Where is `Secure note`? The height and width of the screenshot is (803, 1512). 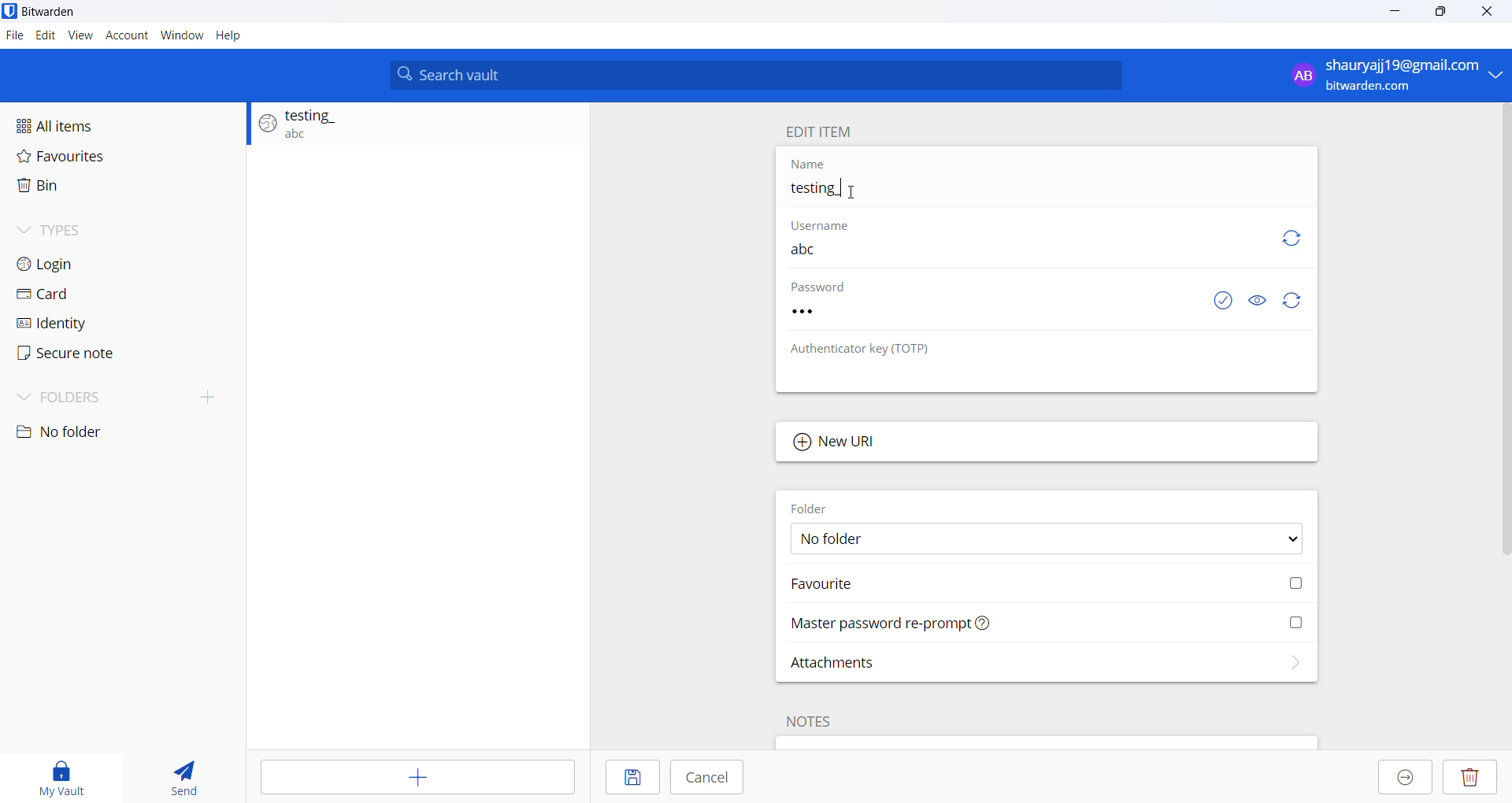
Secure note is located at coordinates (79, 354).